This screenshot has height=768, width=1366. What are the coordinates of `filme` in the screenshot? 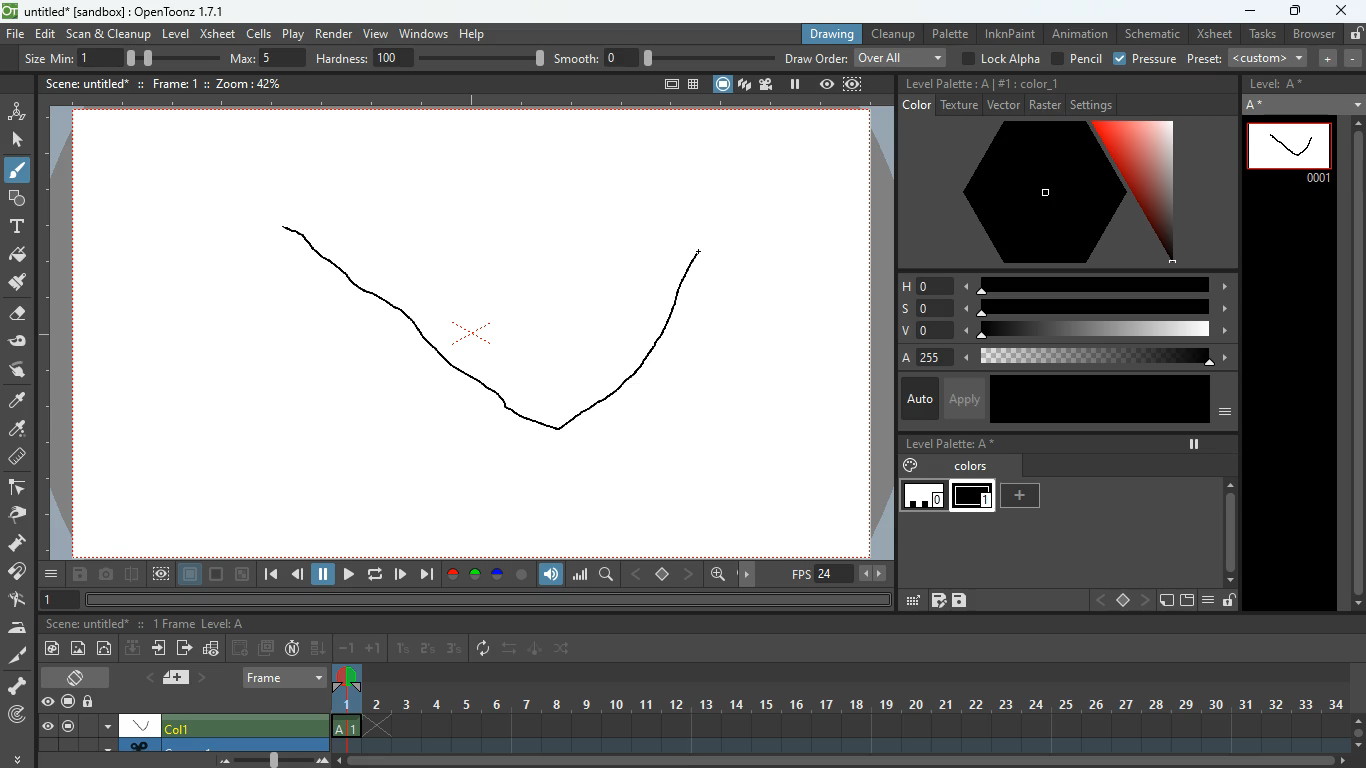 It's located at (769, 84).